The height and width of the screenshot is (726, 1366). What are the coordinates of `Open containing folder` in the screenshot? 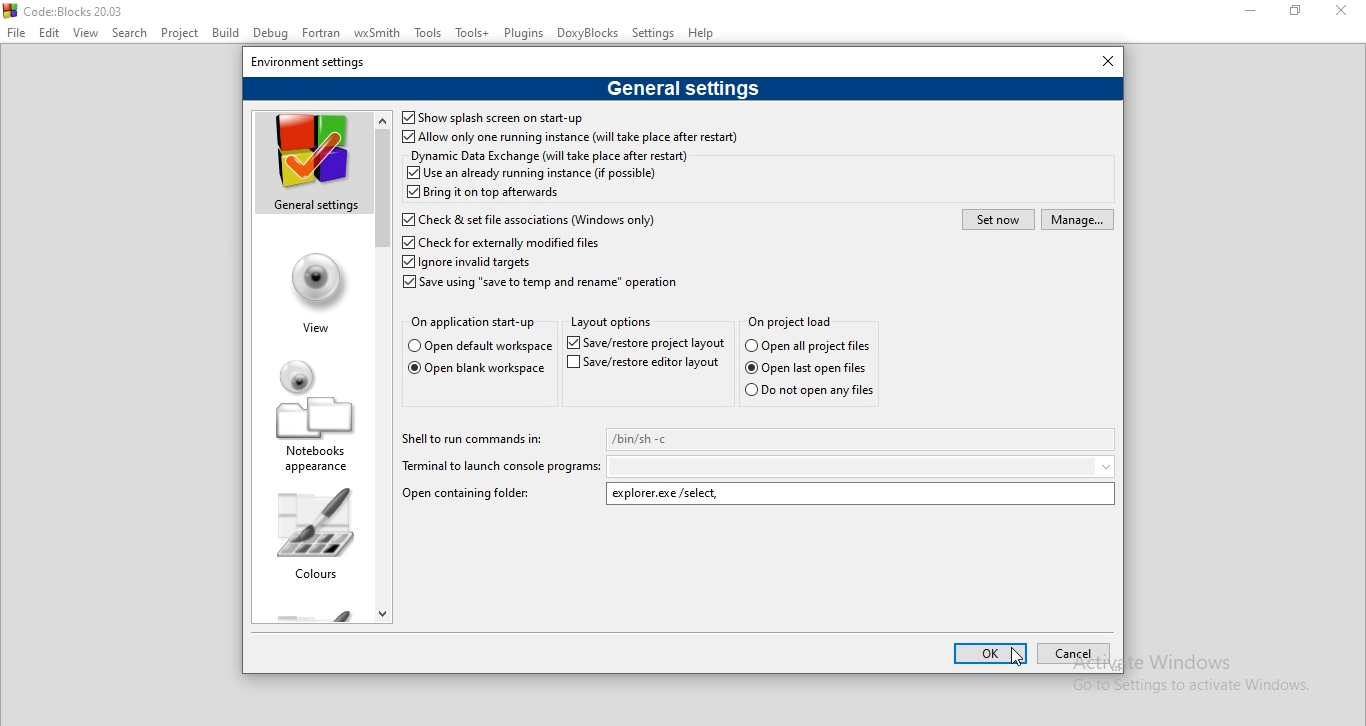 It's located at (466, 492).